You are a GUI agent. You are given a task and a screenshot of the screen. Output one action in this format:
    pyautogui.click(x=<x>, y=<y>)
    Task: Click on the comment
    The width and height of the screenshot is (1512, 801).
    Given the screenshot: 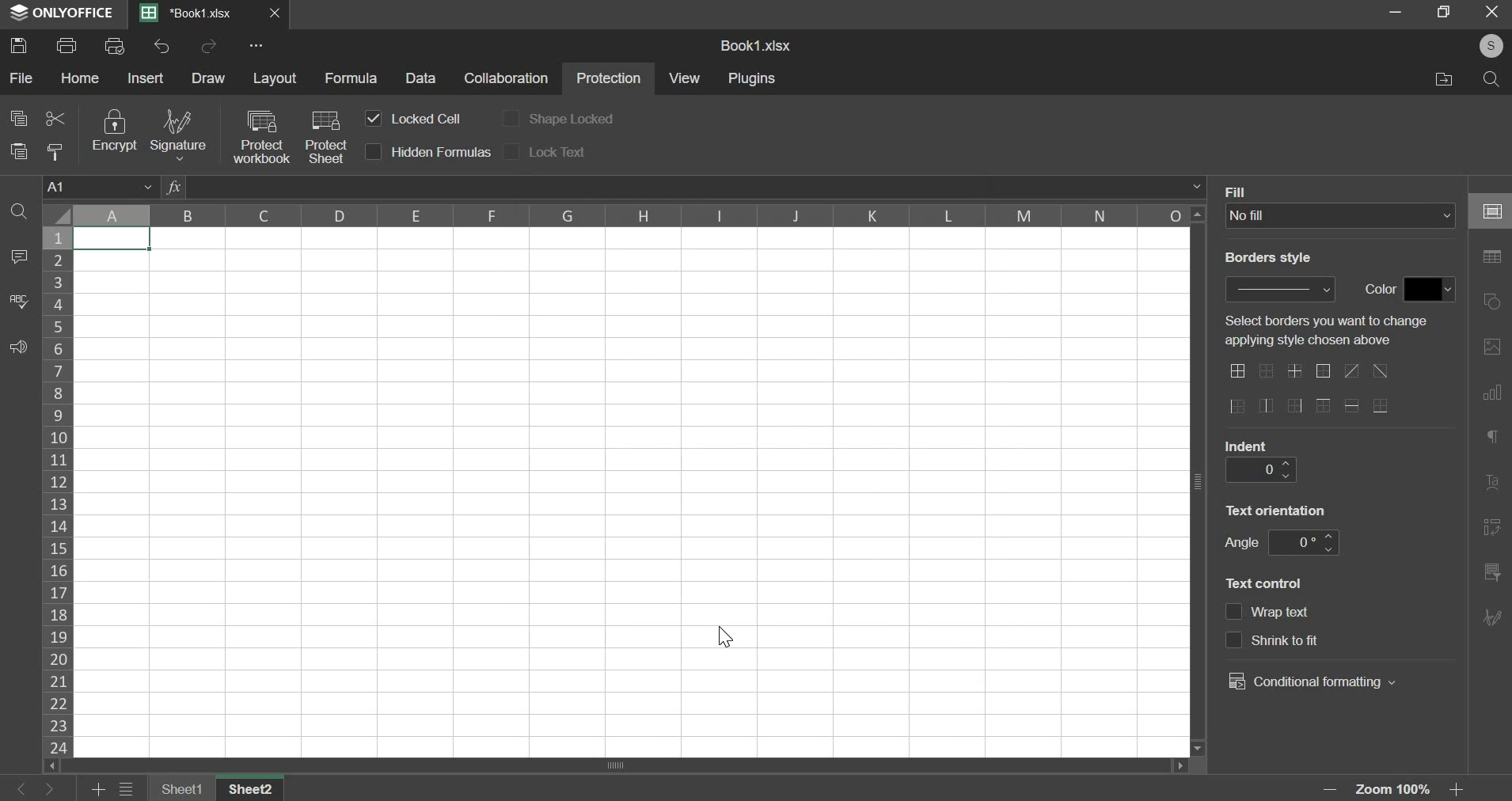 What is the action you would take?
    pyautogui.click(x=16, y=257)
    